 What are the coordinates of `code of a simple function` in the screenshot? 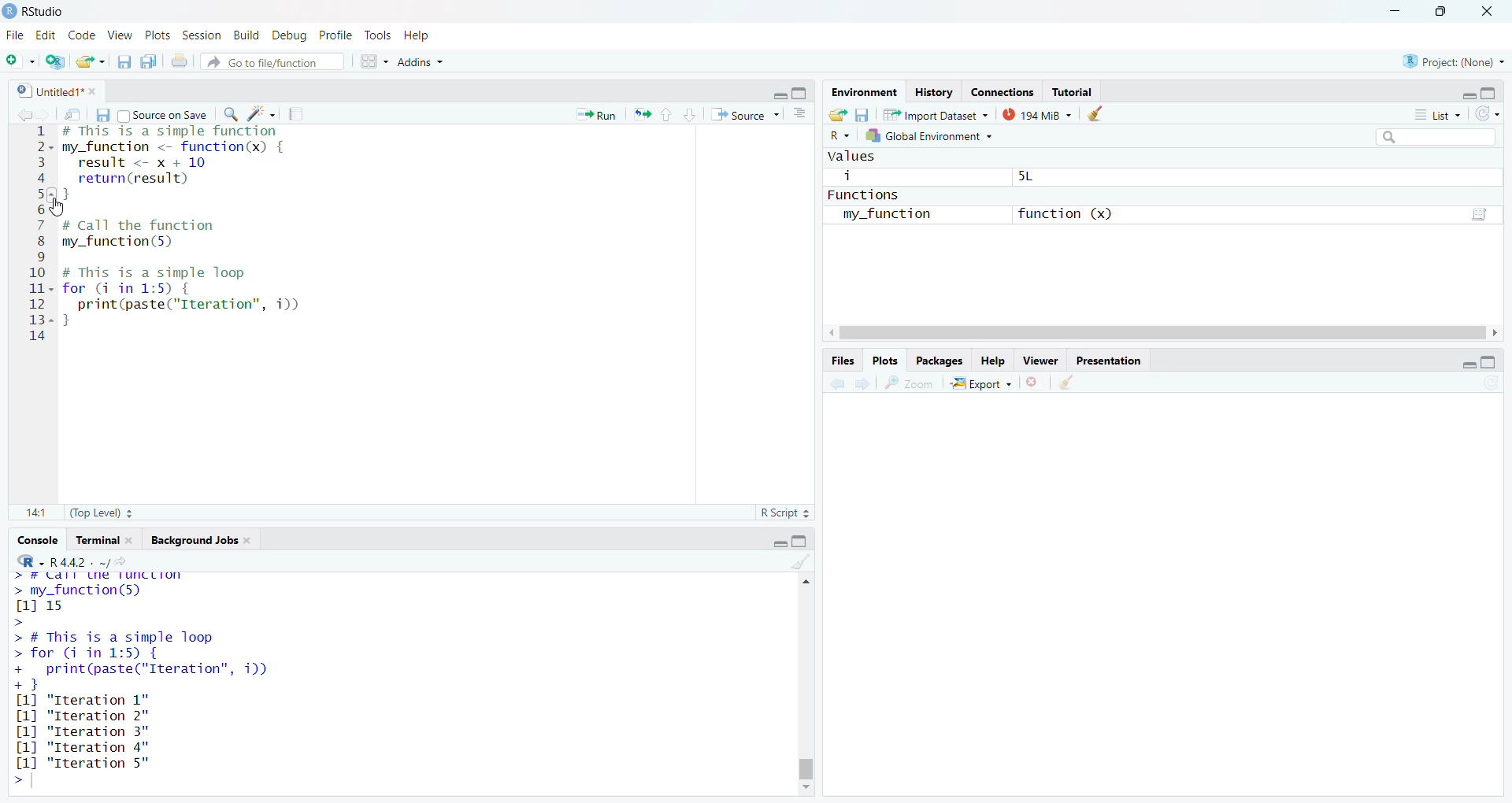 It's located at (195, 165).